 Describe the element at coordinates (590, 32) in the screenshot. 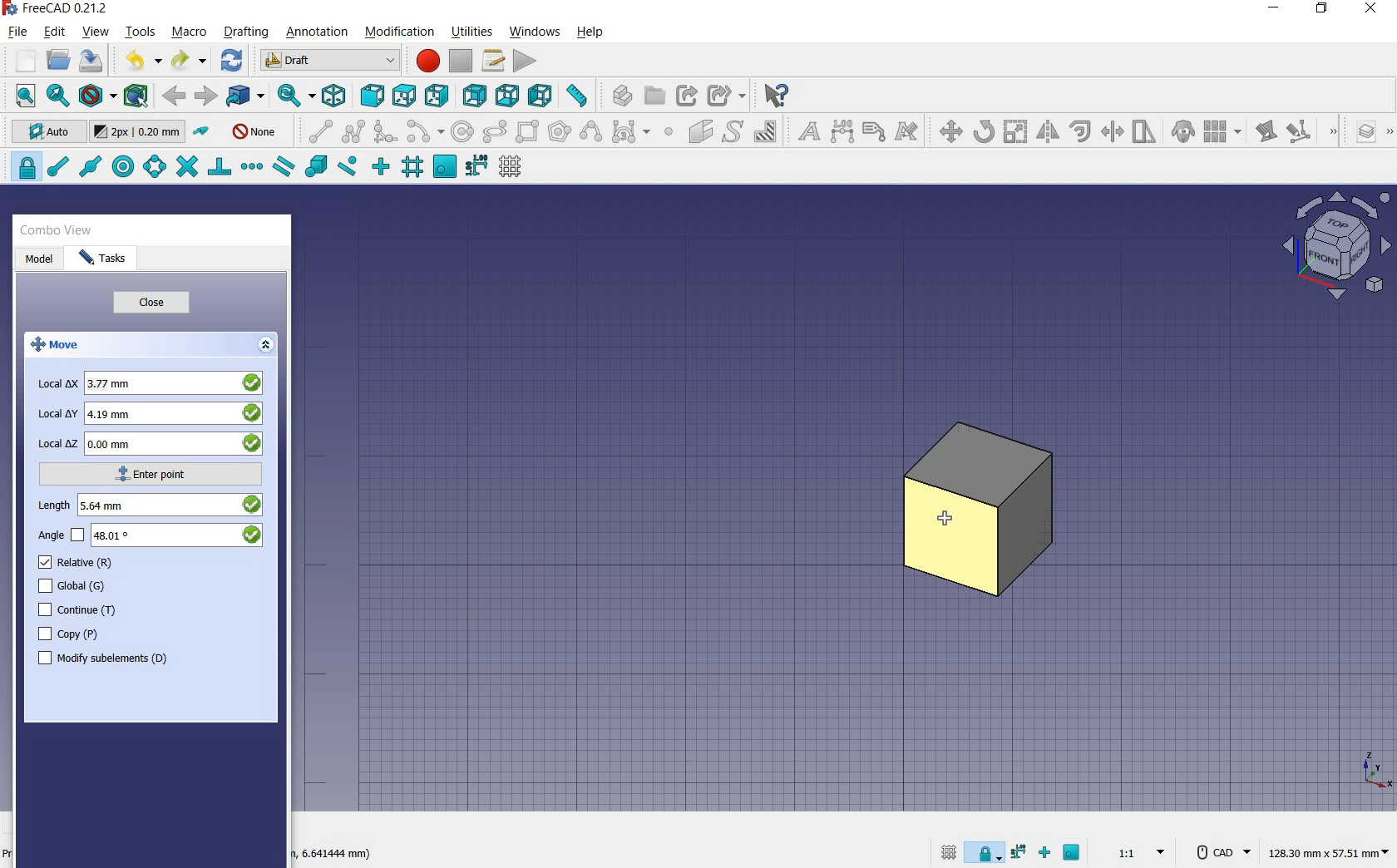

I see `help` at that location.